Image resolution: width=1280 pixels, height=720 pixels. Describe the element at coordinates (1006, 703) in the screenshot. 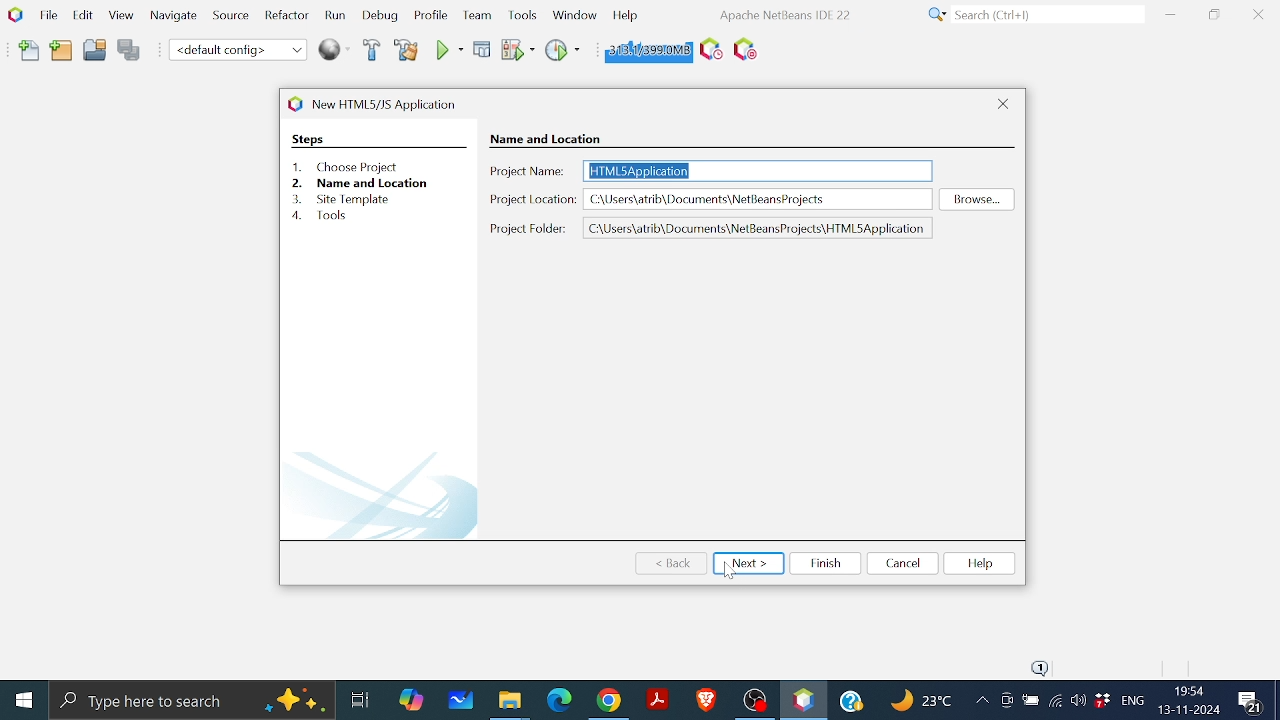

I see `Meet now` at that location.